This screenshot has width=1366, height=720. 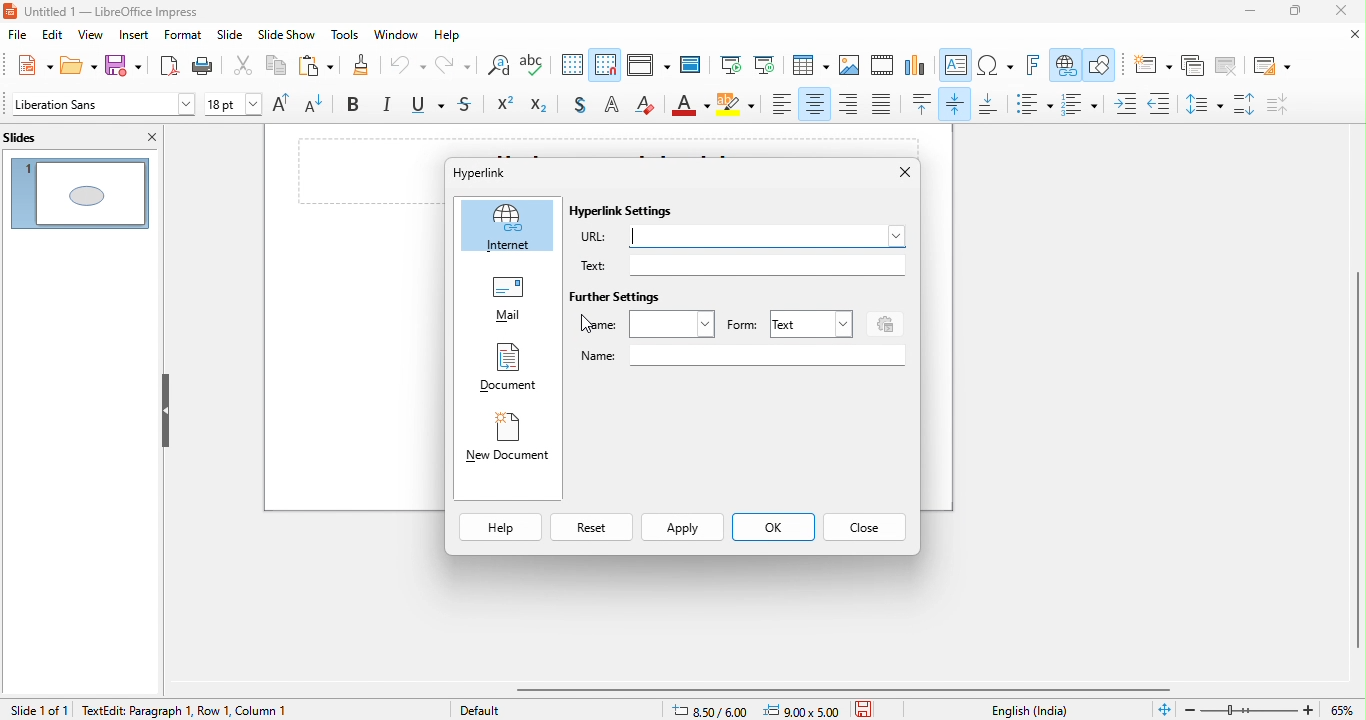 I want to click on toggle unordered list, so click(x=1033, y=104).